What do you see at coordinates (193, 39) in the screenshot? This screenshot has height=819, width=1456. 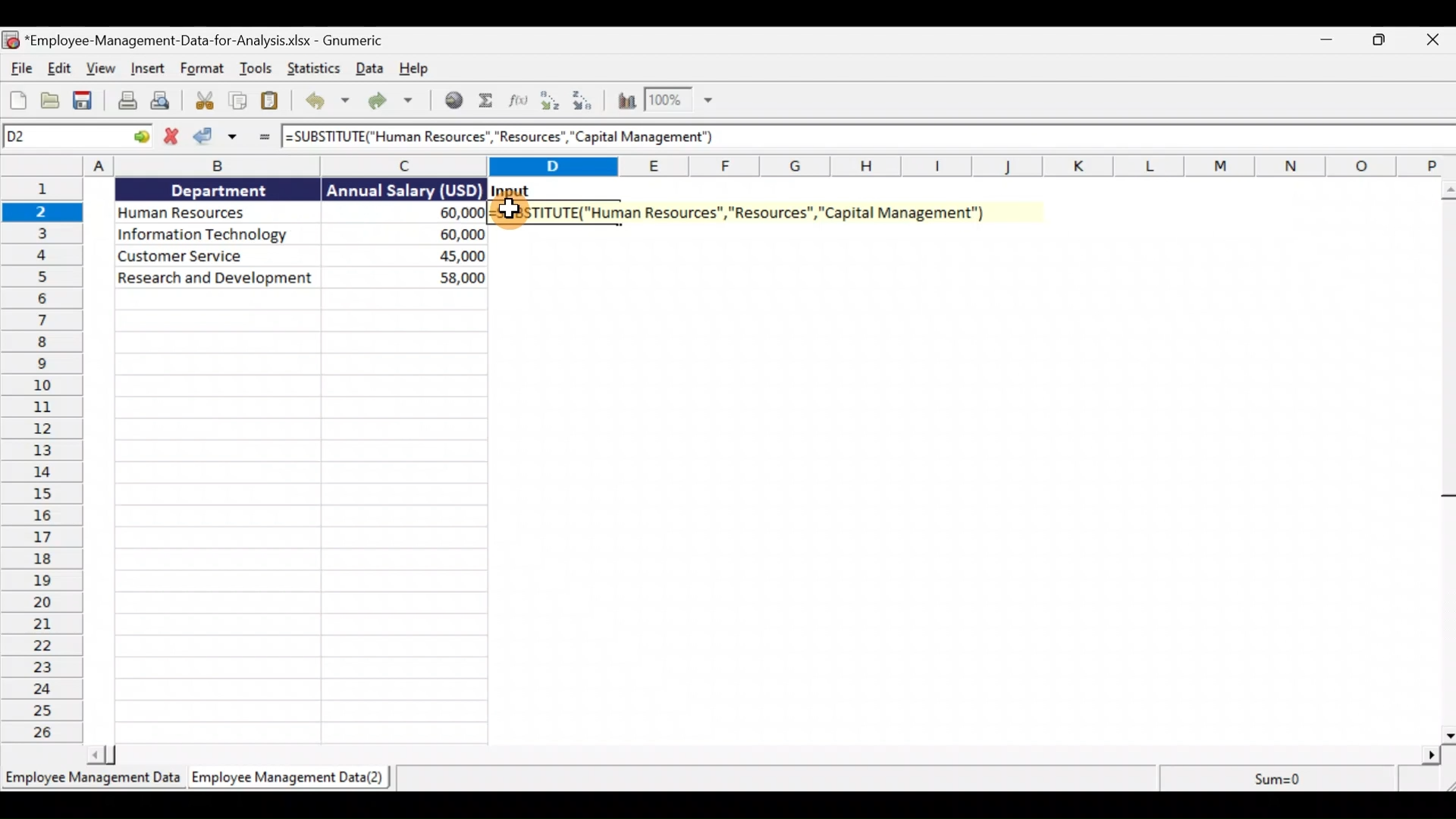 I see `Document name` at bounding box center [193, 39].